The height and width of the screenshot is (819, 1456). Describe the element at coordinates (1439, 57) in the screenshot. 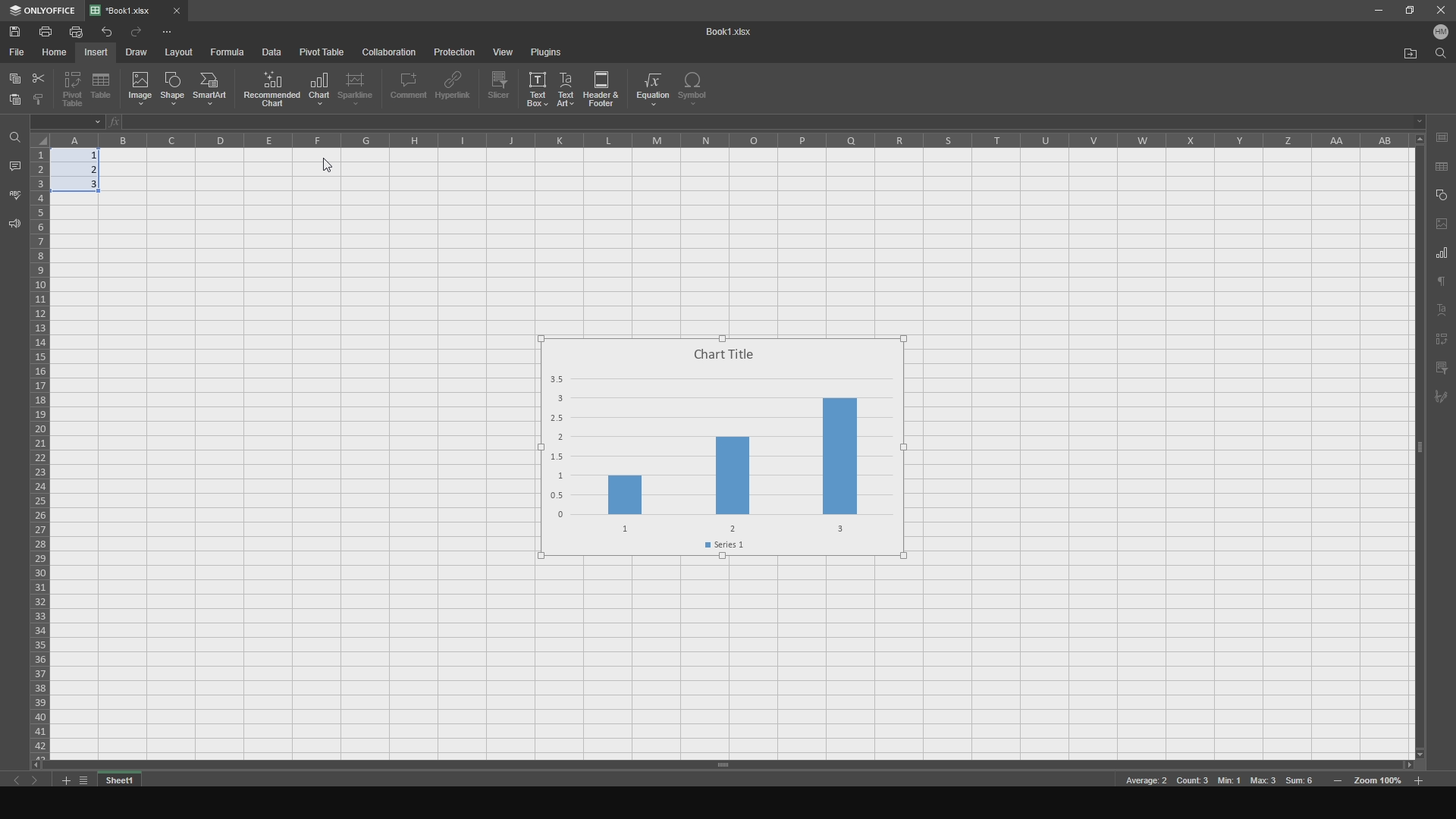

I see `find` at that location.